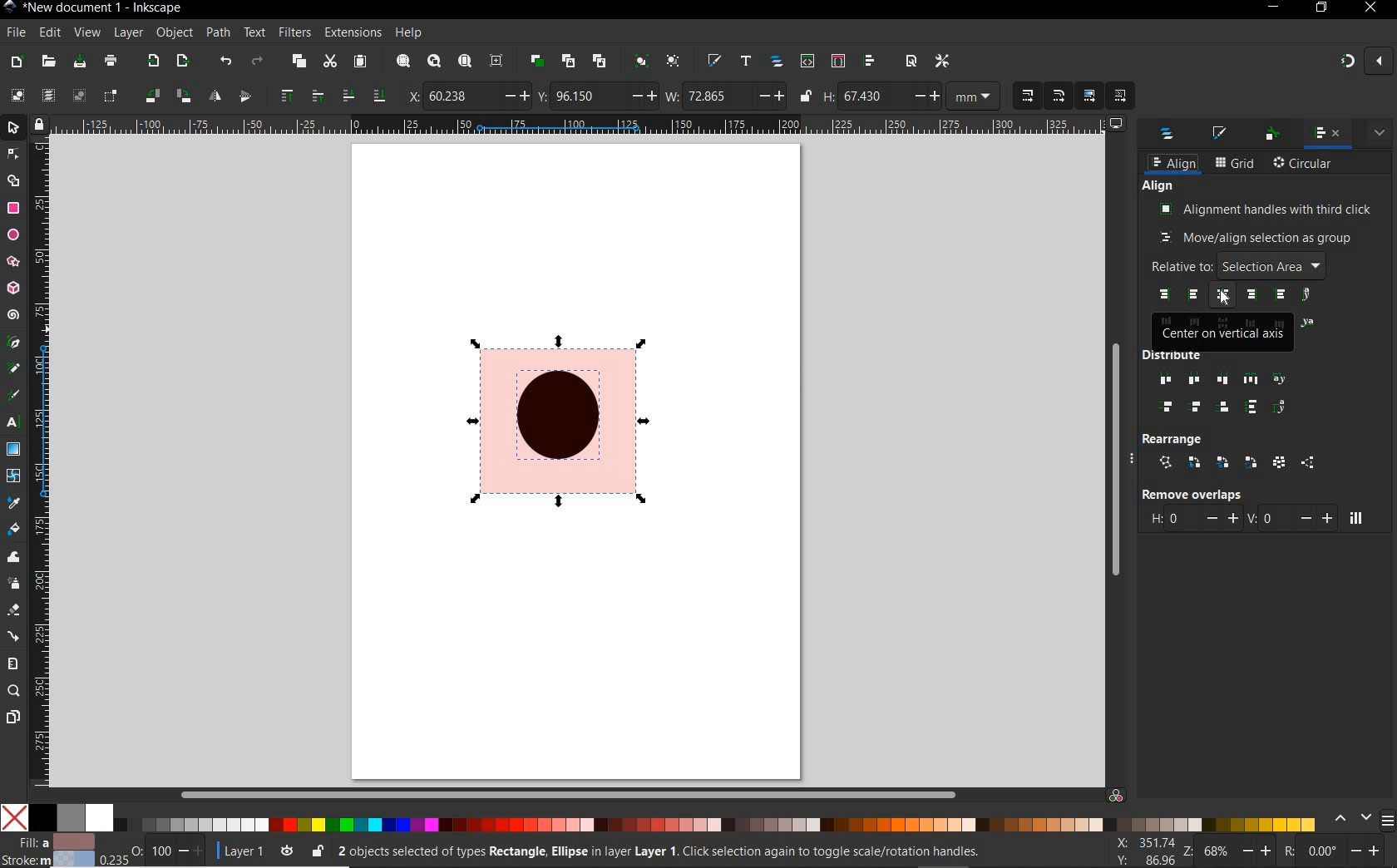 The image size is (1397, 868). I want to click on layers & objects, so click(1168, 136).